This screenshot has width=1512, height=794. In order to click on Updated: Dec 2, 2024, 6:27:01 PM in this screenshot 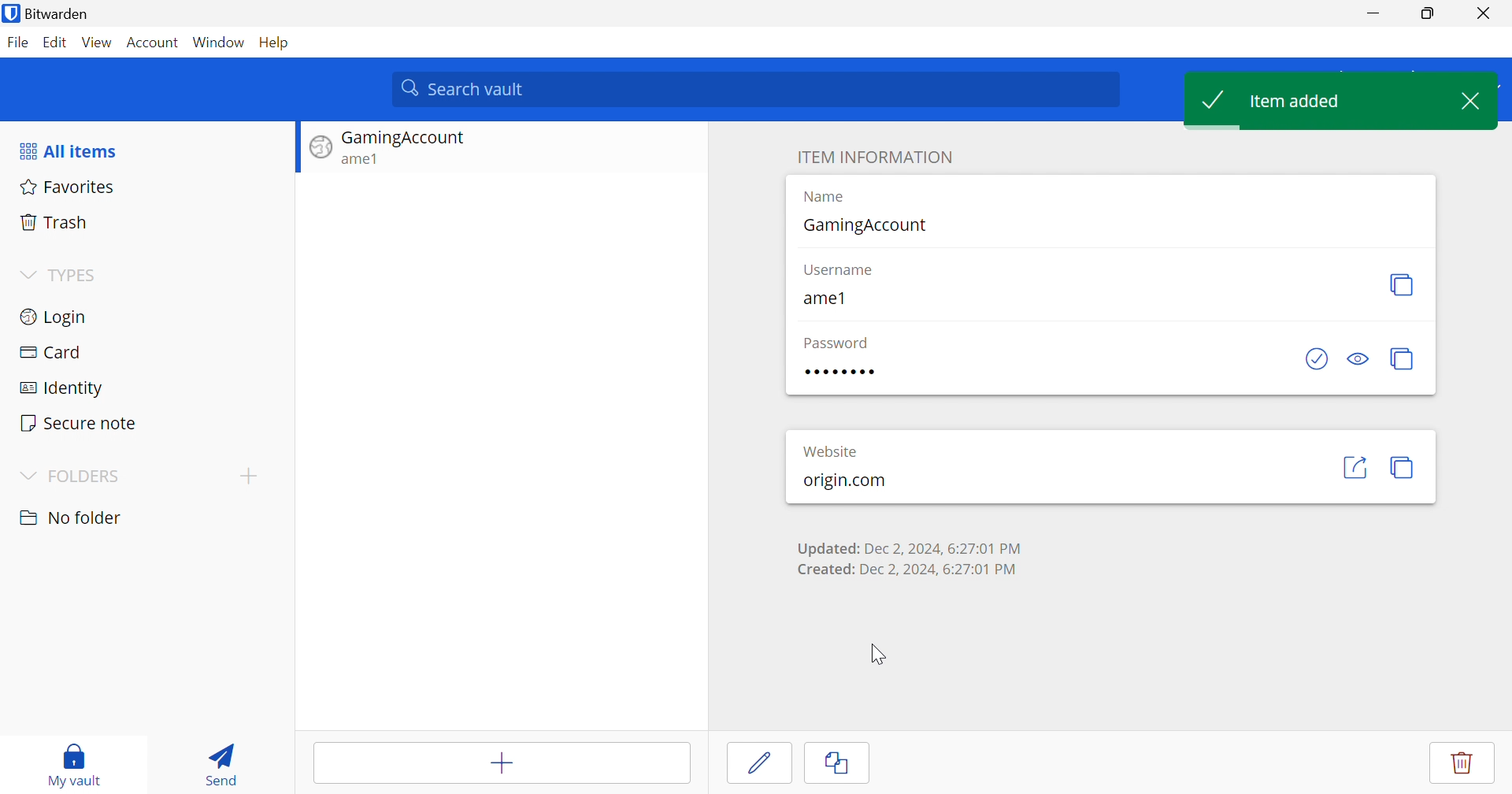, I will do `click(913, 550)`.